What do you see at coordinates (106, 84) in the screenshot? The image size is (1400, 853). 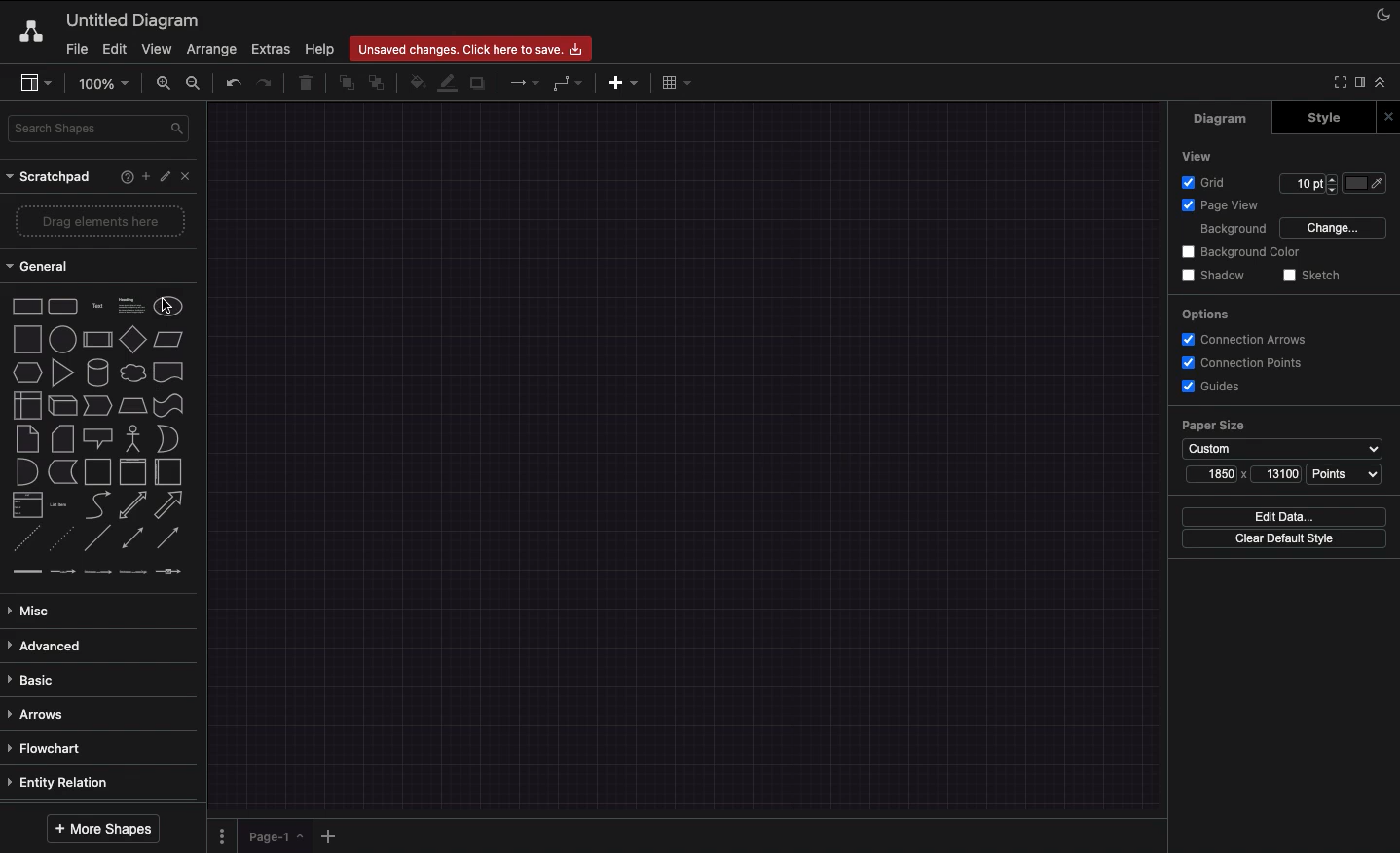 I see `100%` at bounding box center [106, 84].